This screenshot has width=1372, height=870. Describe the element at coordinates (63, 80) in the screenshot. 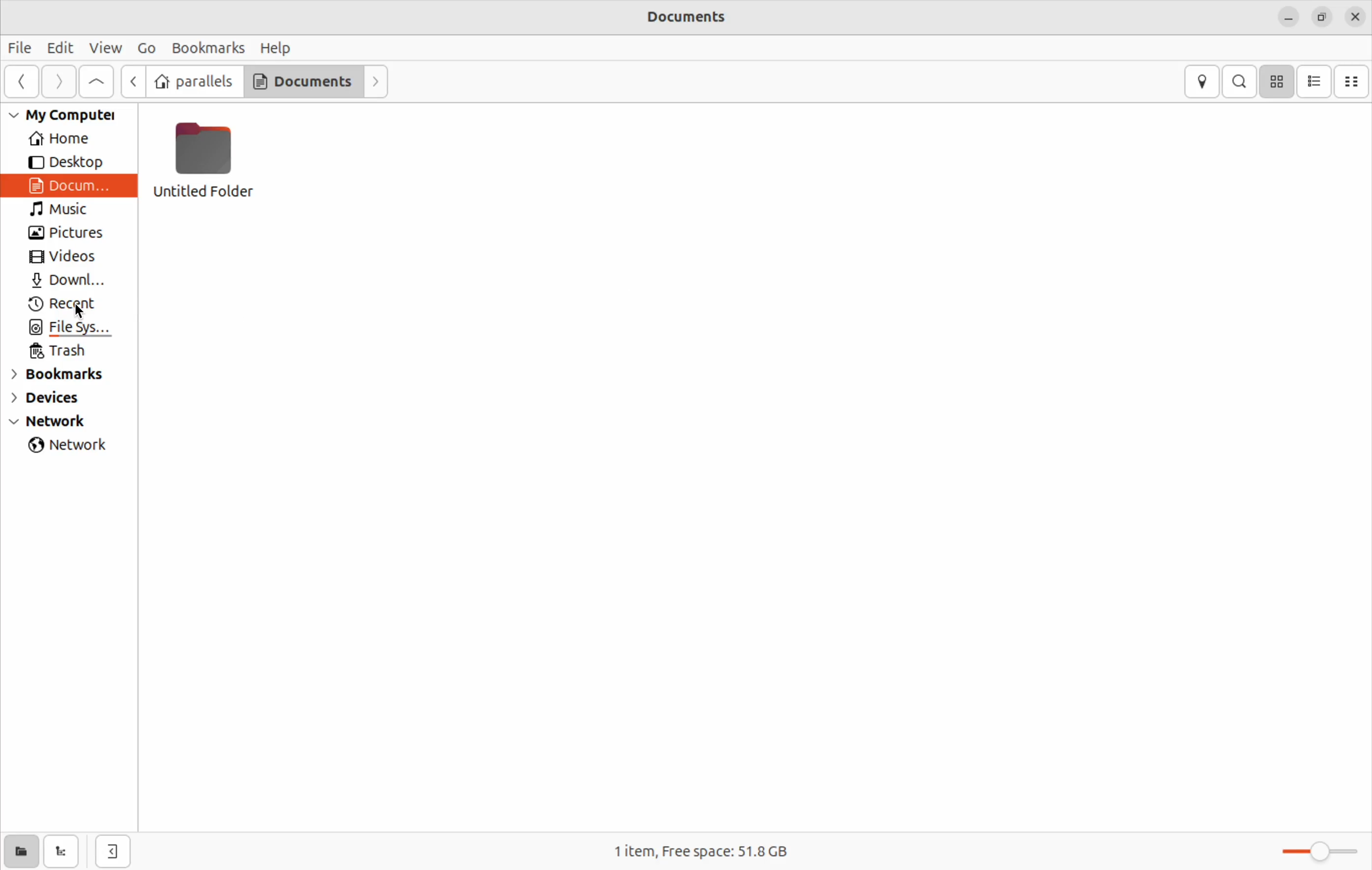

I see `next` at that location.